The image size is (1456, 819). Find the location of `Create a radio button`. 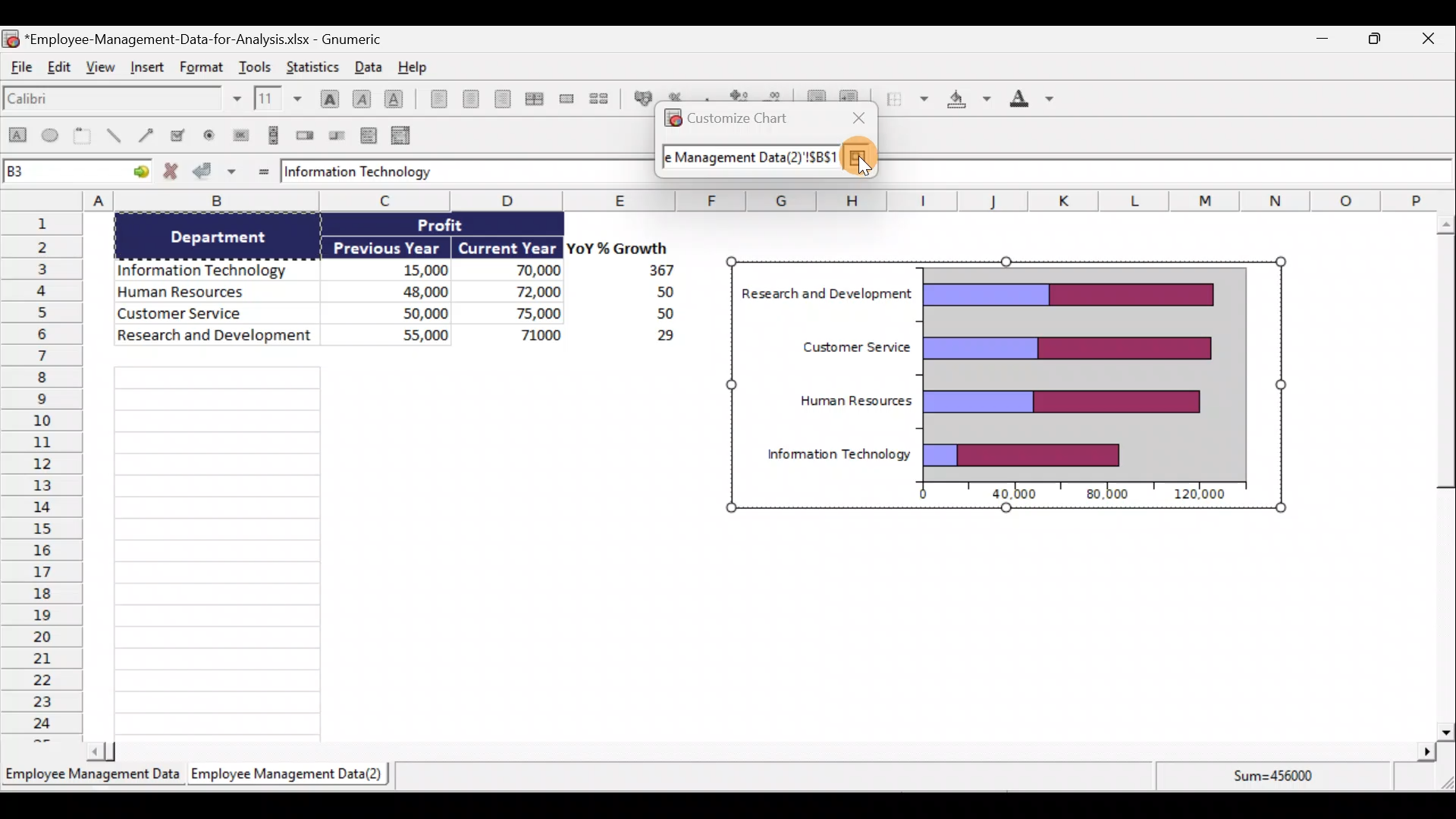

Create a radio button is located at coordinates (209, 136).